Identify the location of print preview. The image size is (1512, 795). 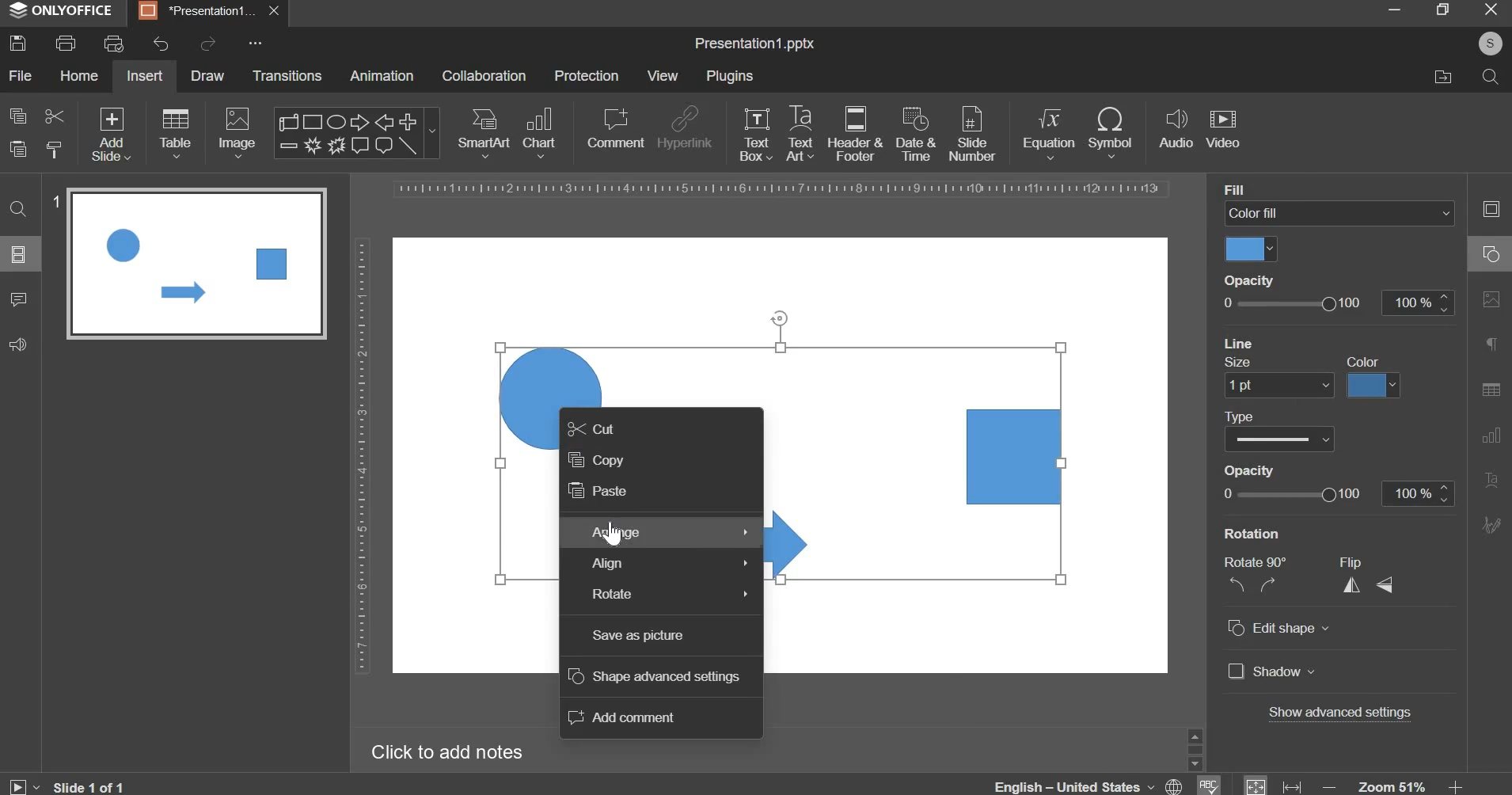
(113, 44).